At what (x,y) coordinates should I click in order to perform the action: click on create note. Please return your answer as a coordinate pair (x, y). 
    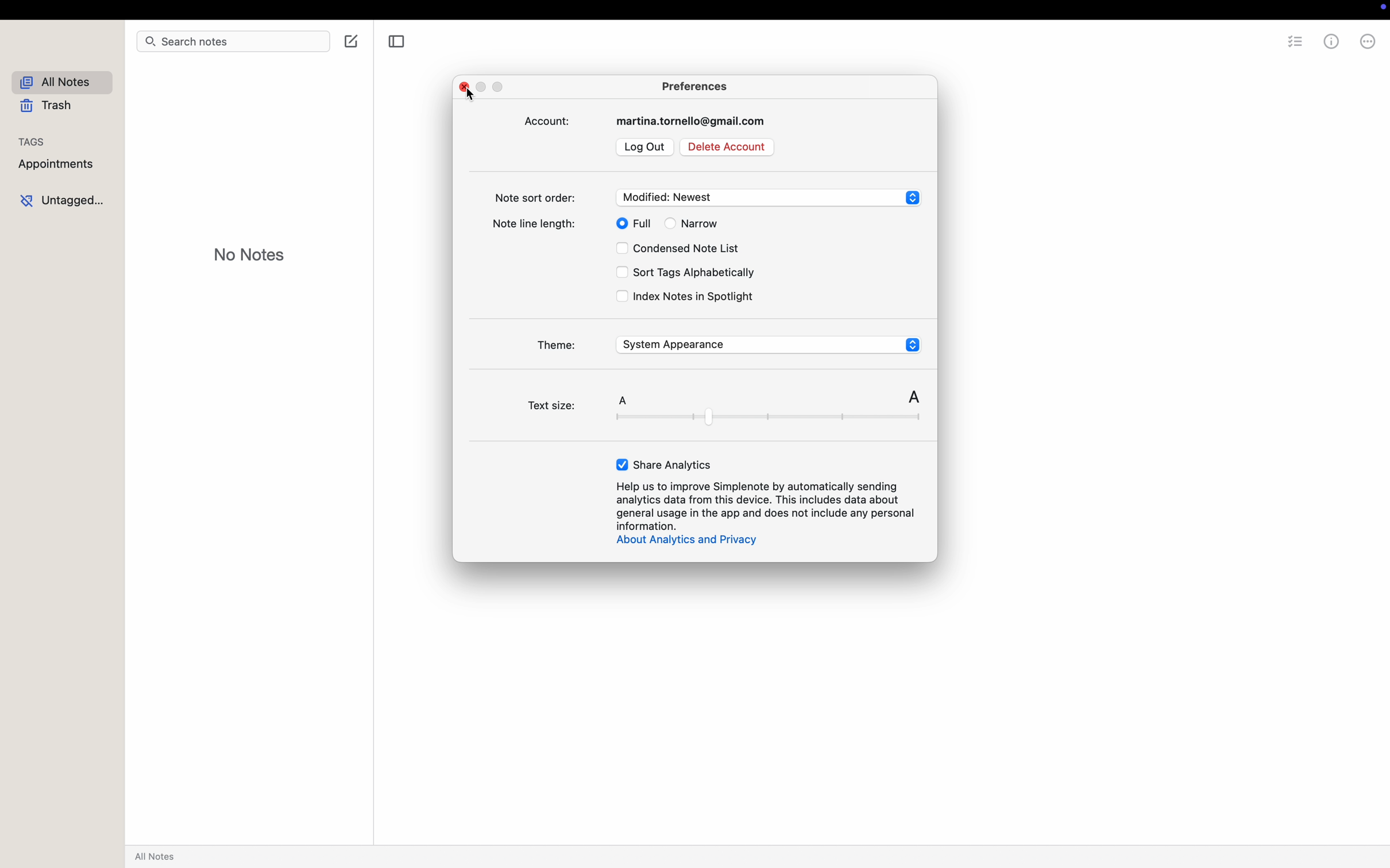
    Looking at the image, I should click on (352, 44).